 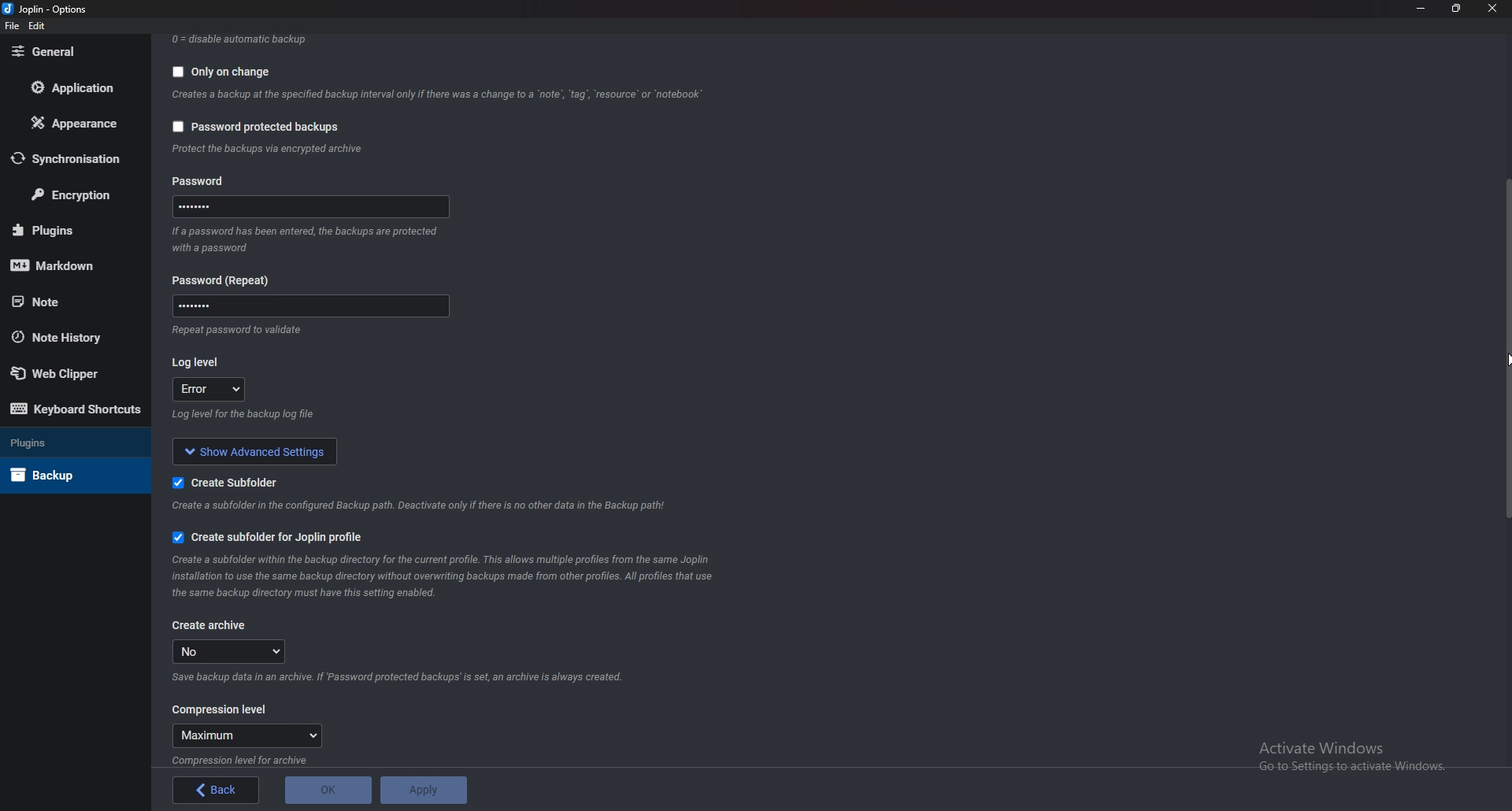 I want to click on Only on change, so click(x=226, y=70).